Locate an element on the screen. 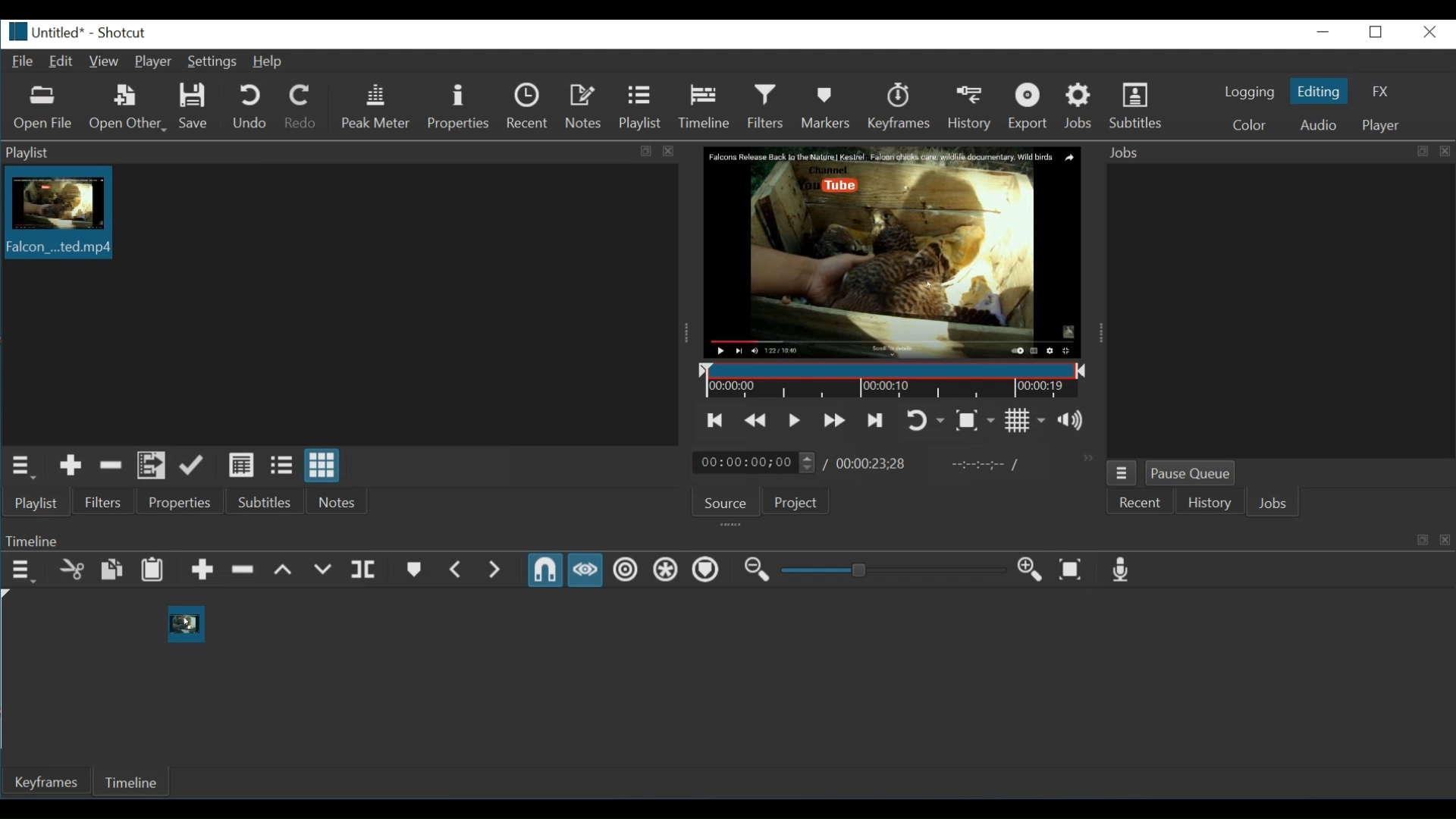 This screenshot has width=1456, height=819. Add the source to the playlist is located at coordinates (72, 466).